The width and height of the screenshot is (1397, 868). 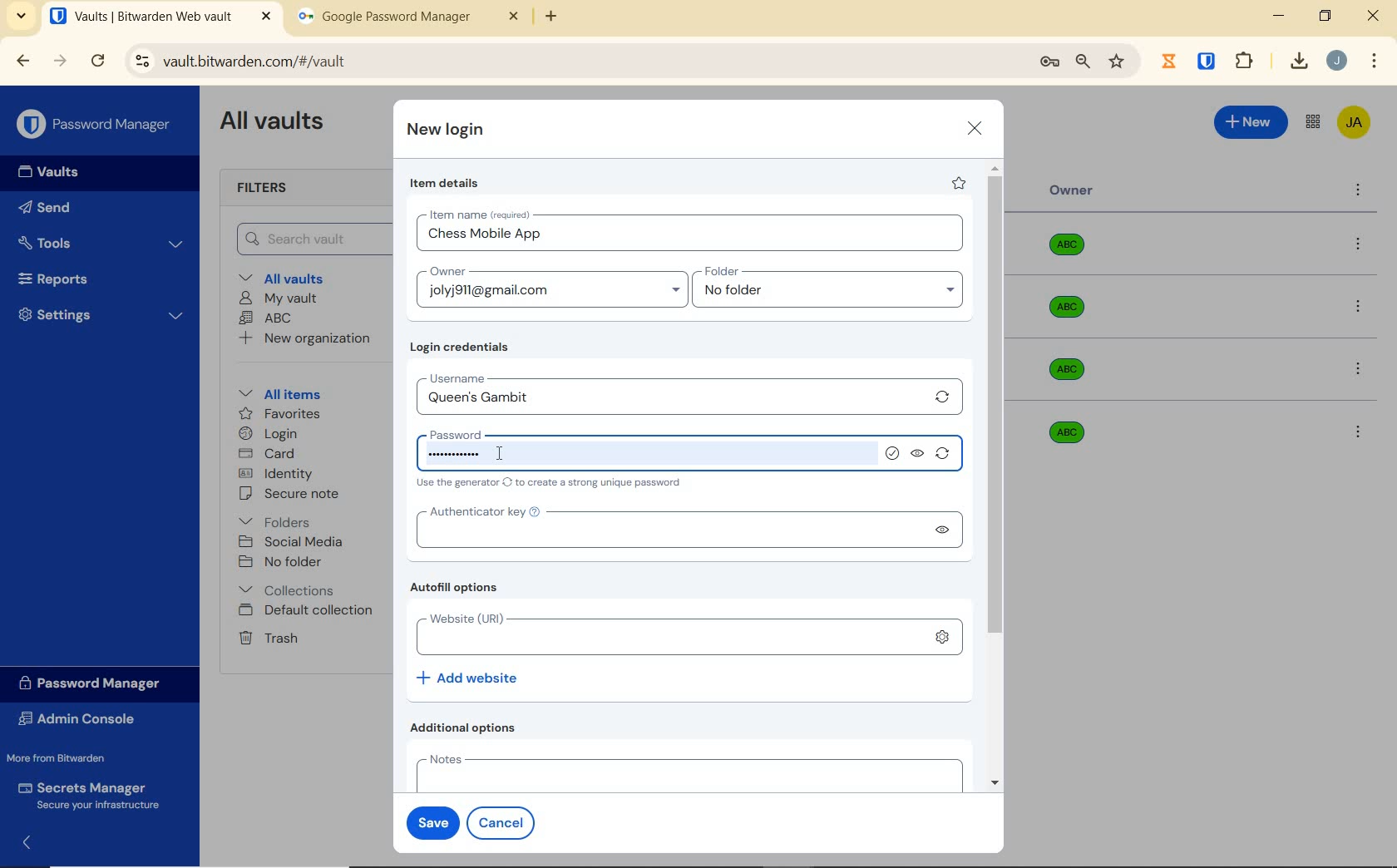 I want to click on favorites, so click(x=281, y=416).